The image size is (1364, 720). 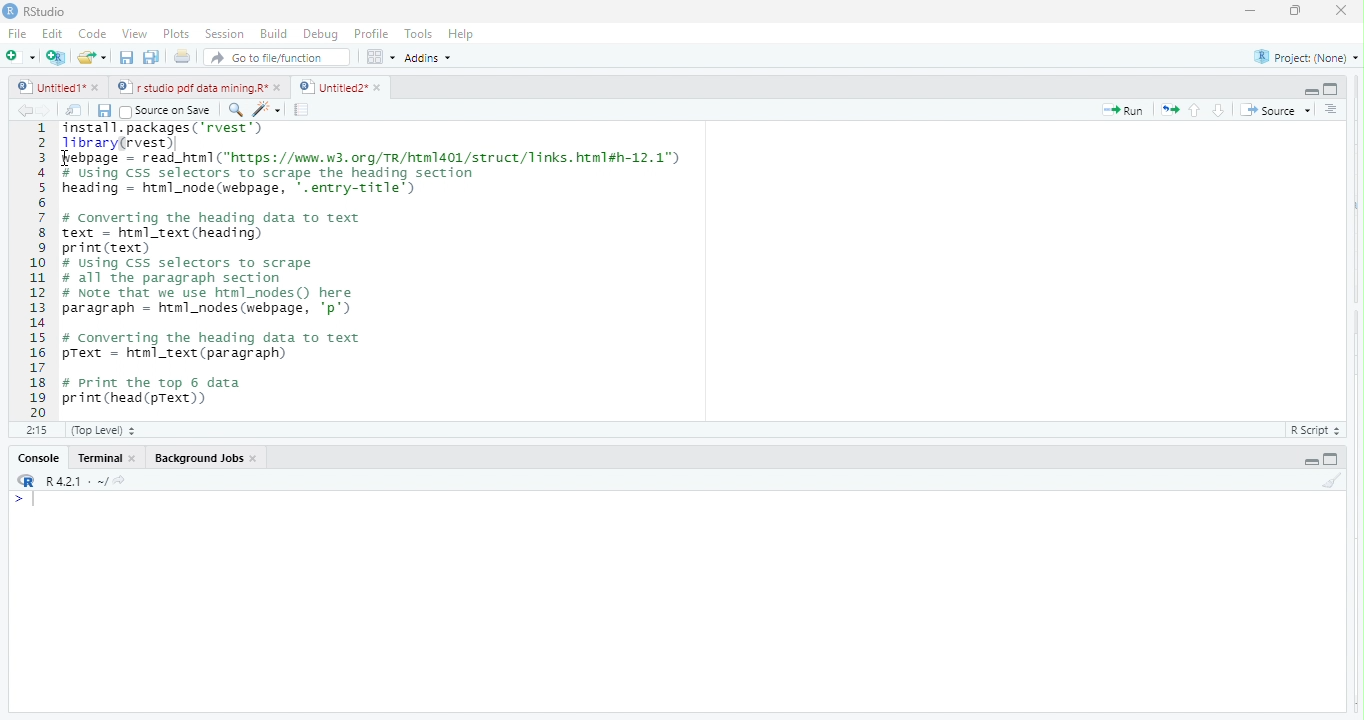 What do you see at coordinates (1172, 110) in the screenshot?
I see `re run the previous code` at bounding box center [1172, 110].